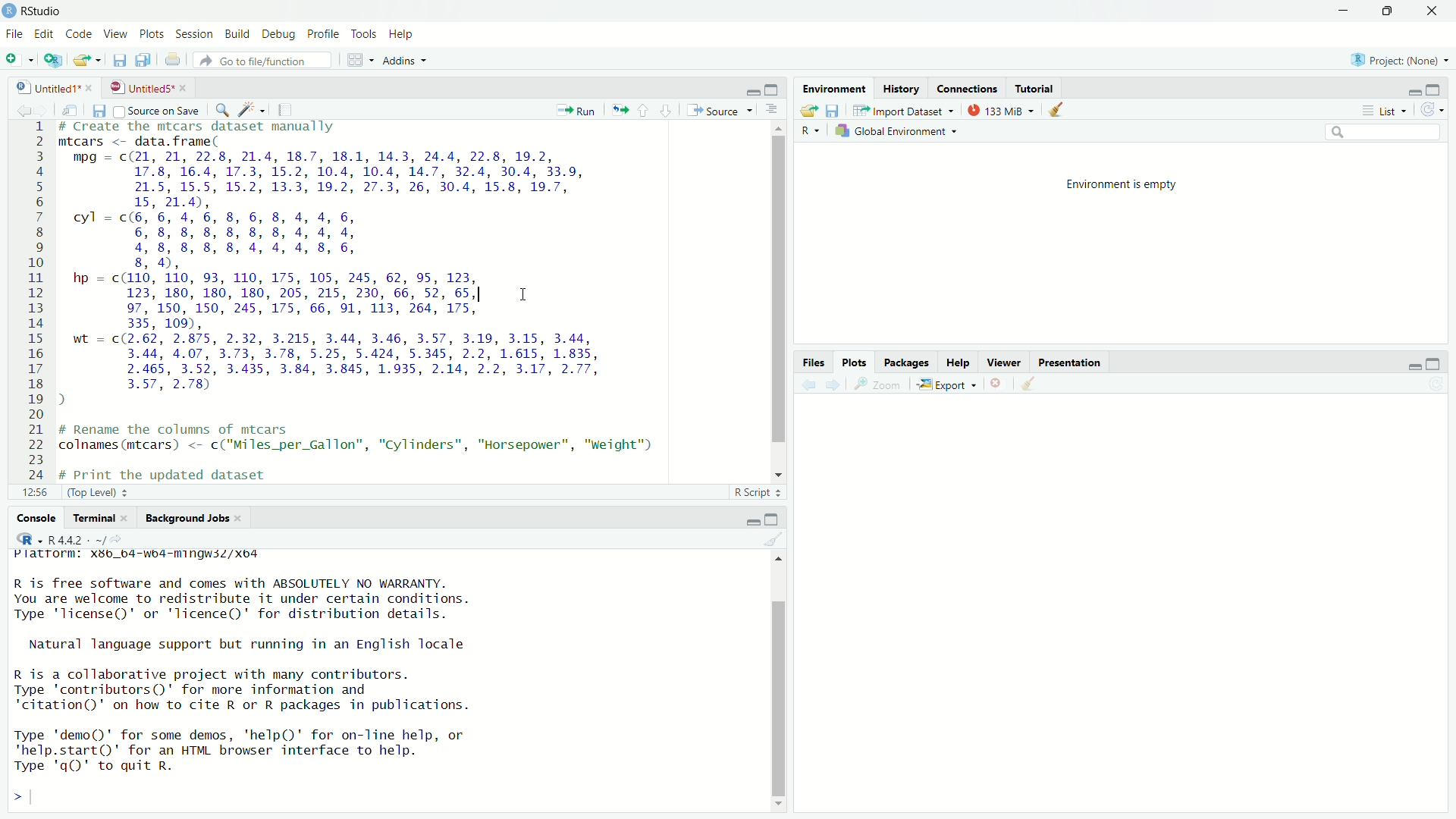 Image resolution: width=1456 pixels, height=819 pixels. I want to click on minimise, so click(753, 90).